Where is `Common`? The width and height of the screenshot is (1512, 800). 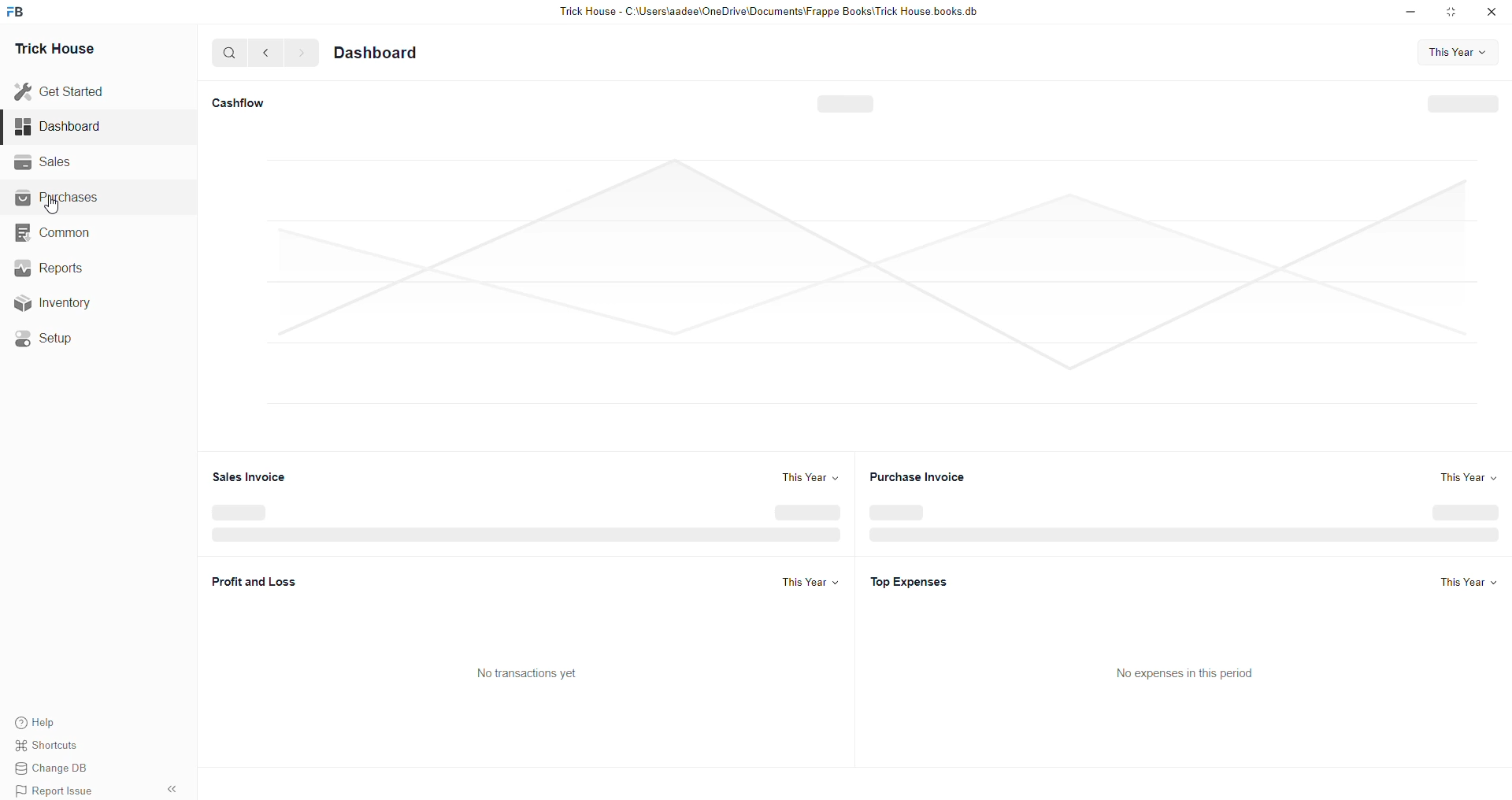
Common is located at coordinates (54, 231).